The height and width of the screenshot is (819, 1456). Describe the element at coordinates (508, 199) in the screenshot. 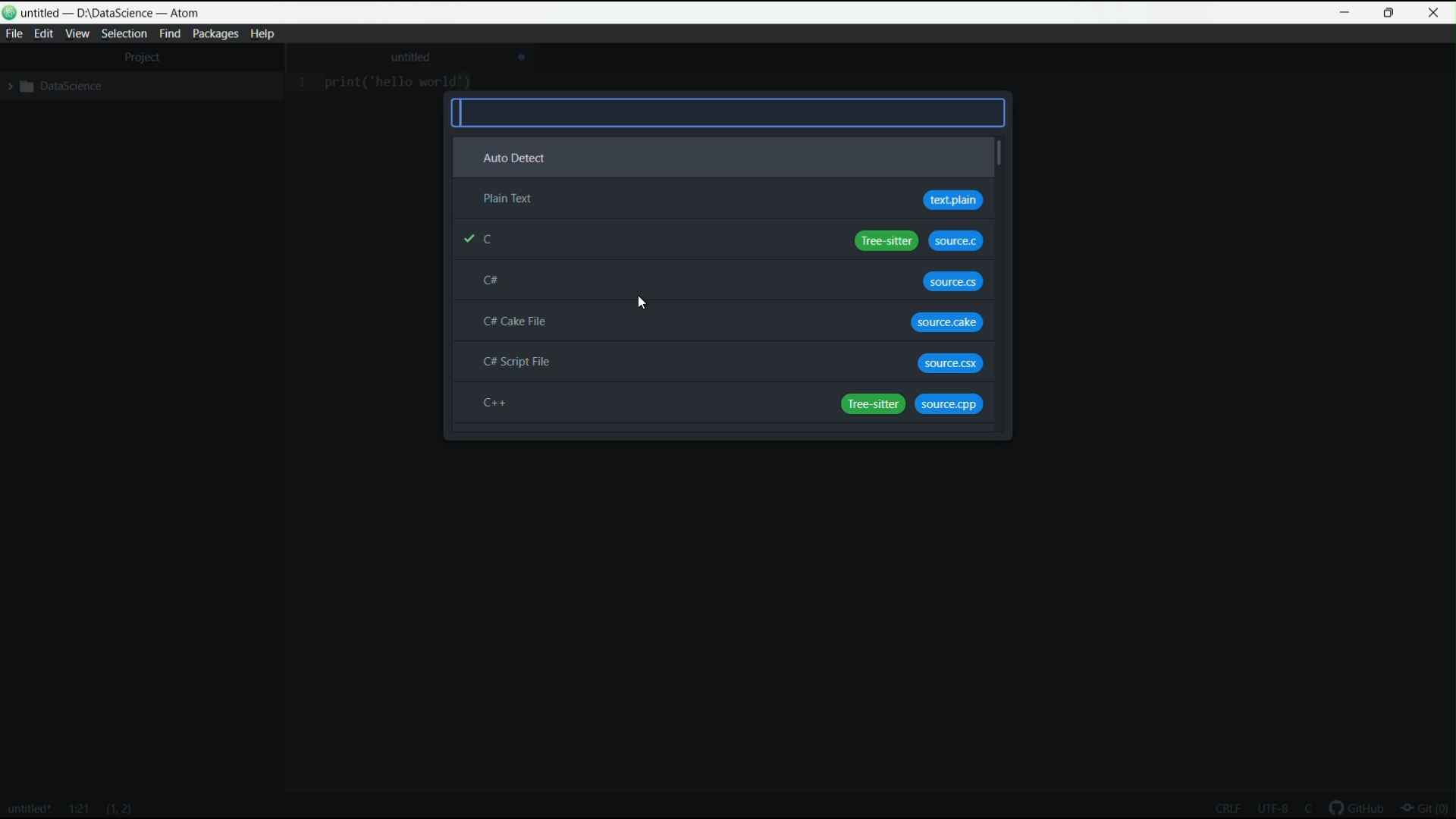

I see `plain text` at that location.